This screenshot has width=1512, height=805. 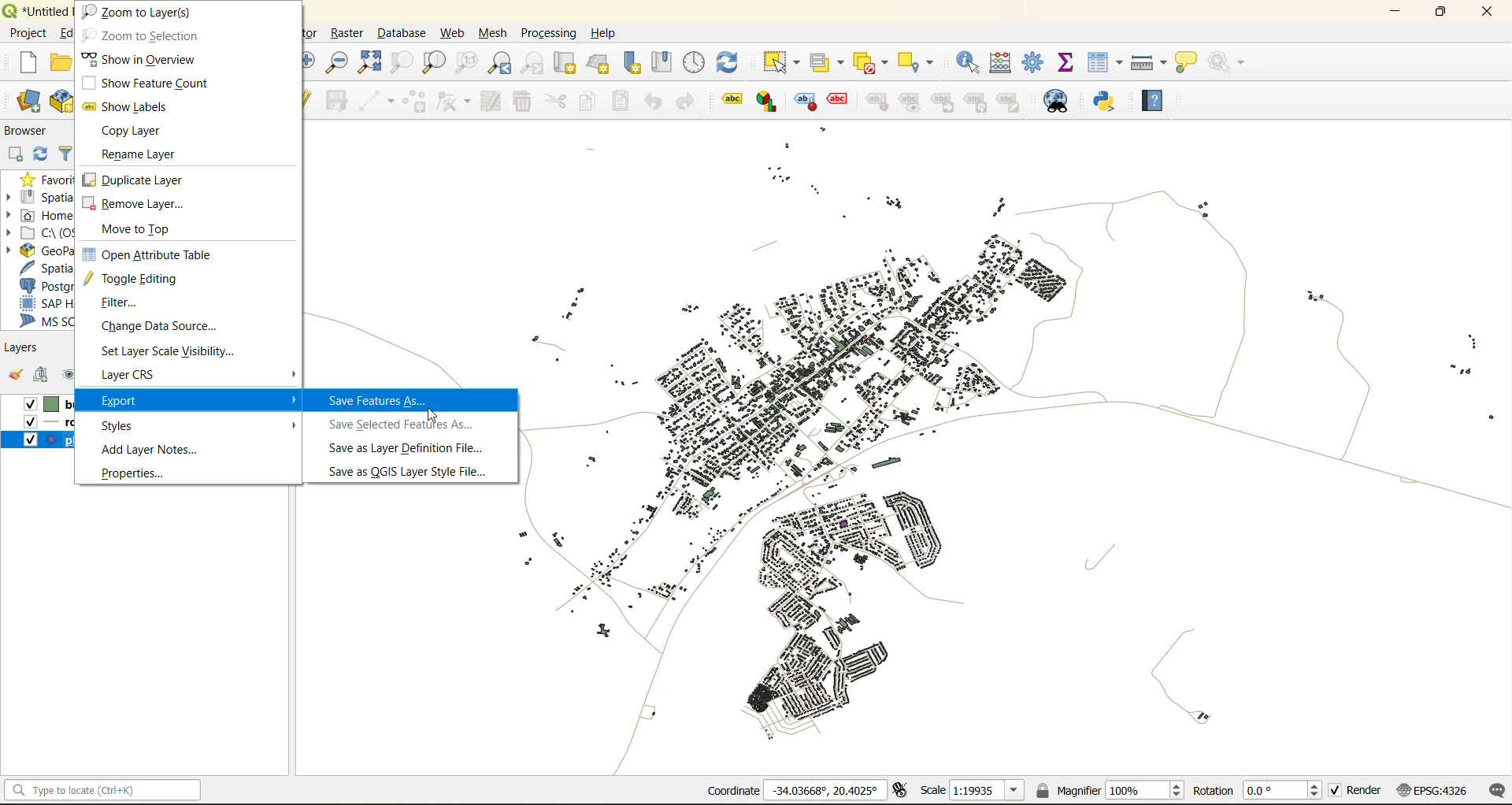 What do you see at coordinates (197, 425) in the screenshot?
I see `styles` at bounding box center [197, 425].